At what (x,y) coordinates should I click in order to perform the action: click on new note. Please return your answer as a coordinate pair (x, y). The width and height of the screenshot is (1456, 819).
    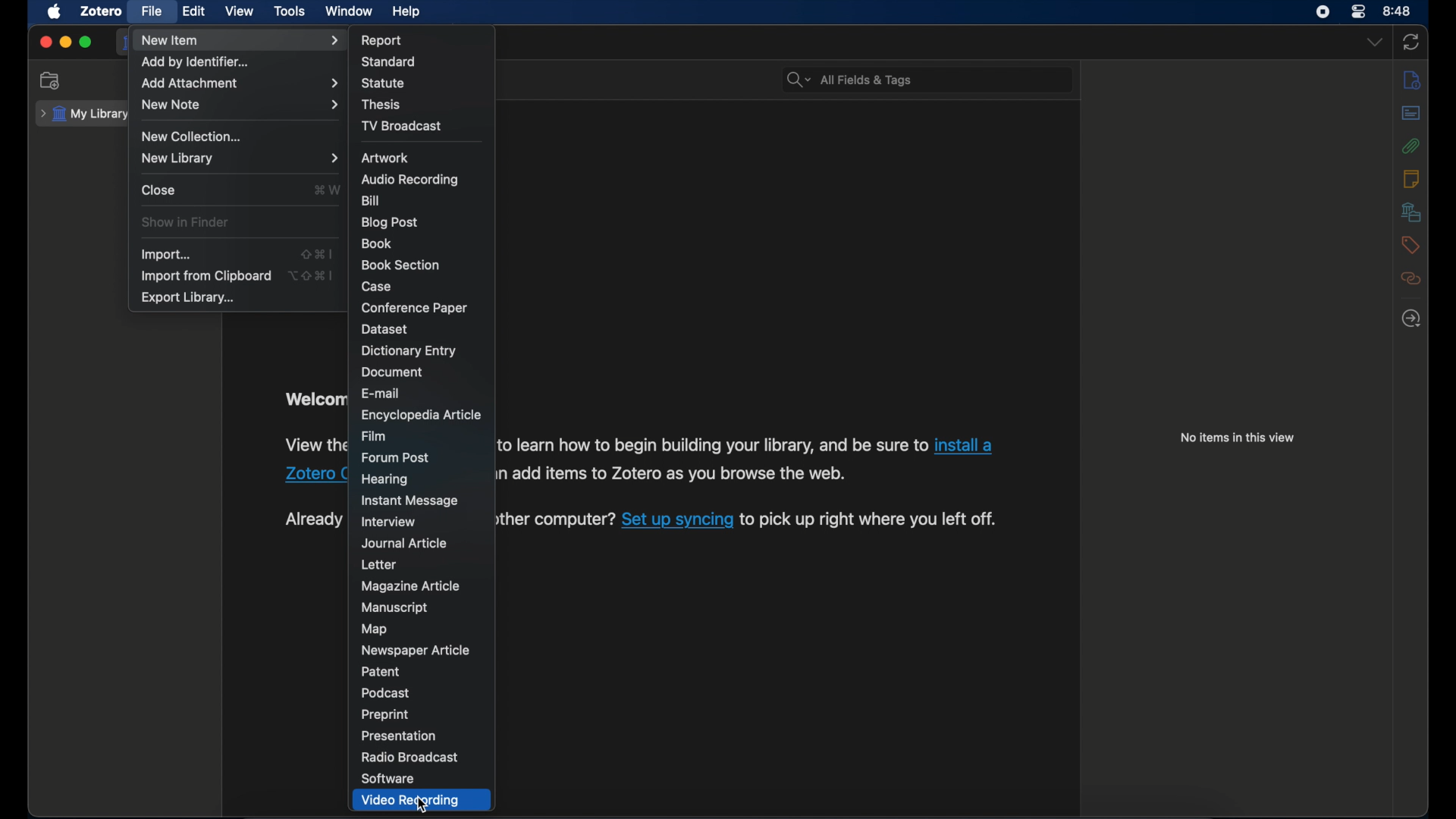
    Looking at the image, I should click on (238, 104).